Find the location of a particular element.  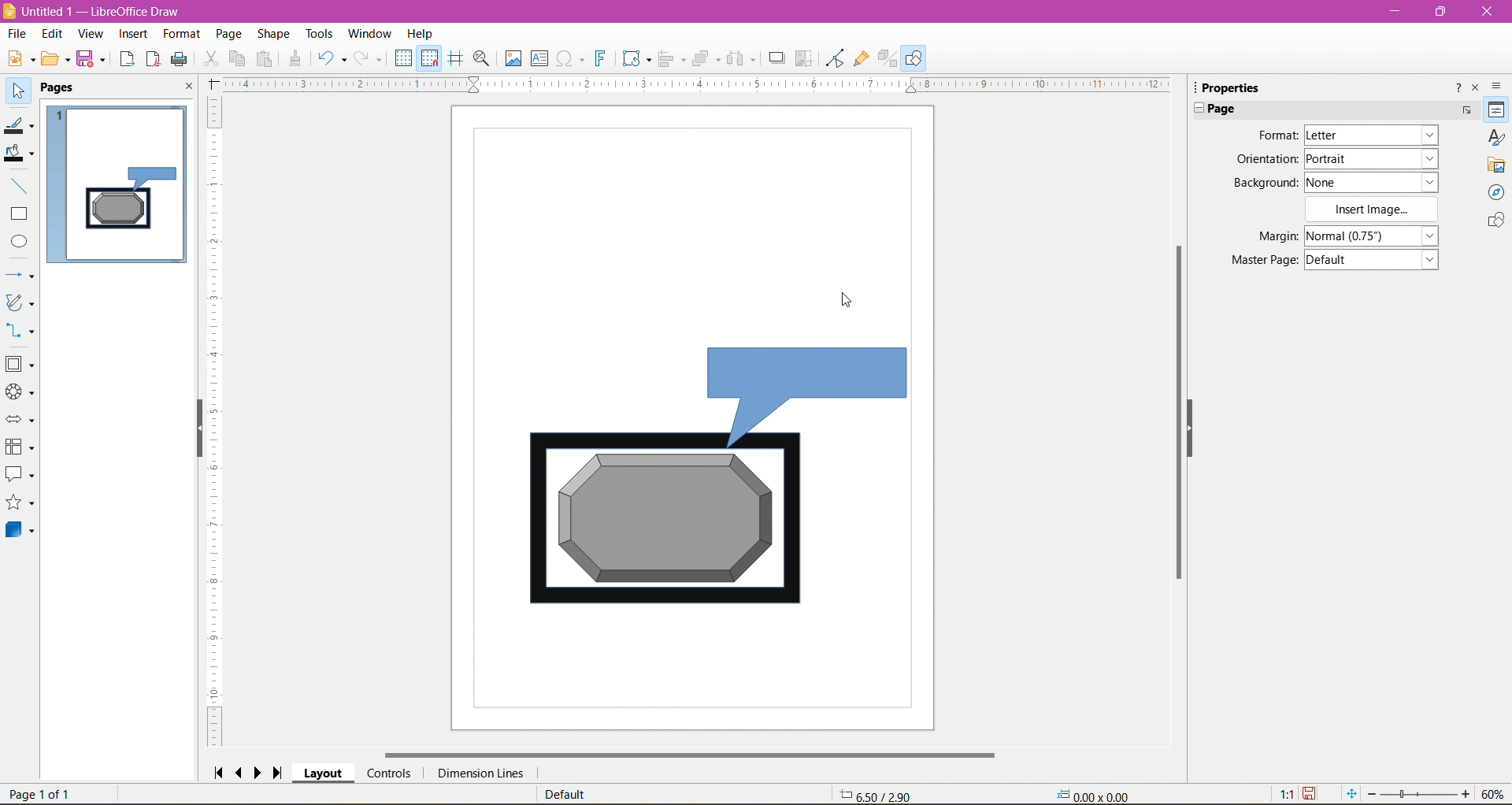

Unsaved Changes is located at coordinates (1313, 794).